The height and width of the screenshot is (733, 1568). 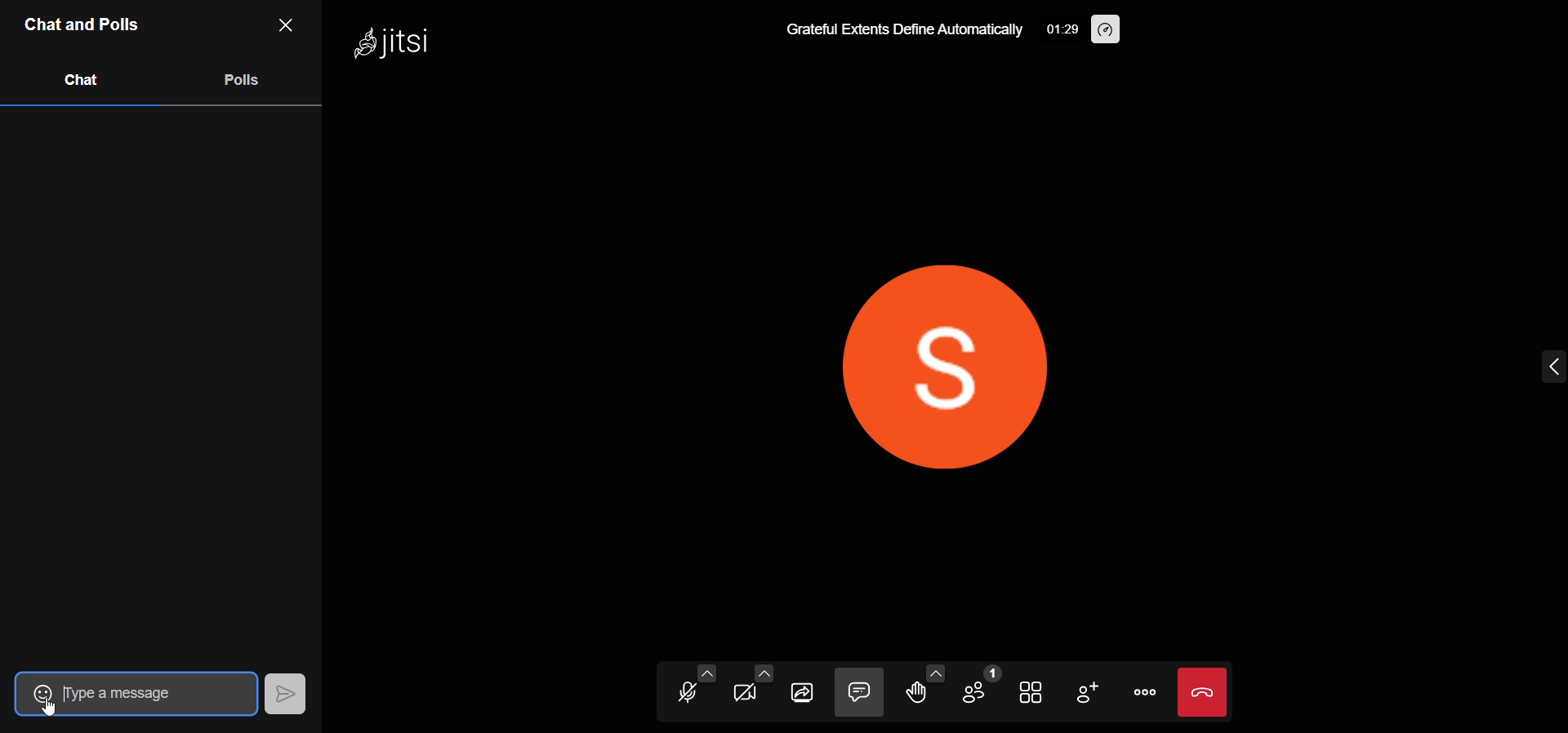 What do you see at coordinates (408, 42) in the screenshot?
I see `logo` at bounding box center [408, 42].